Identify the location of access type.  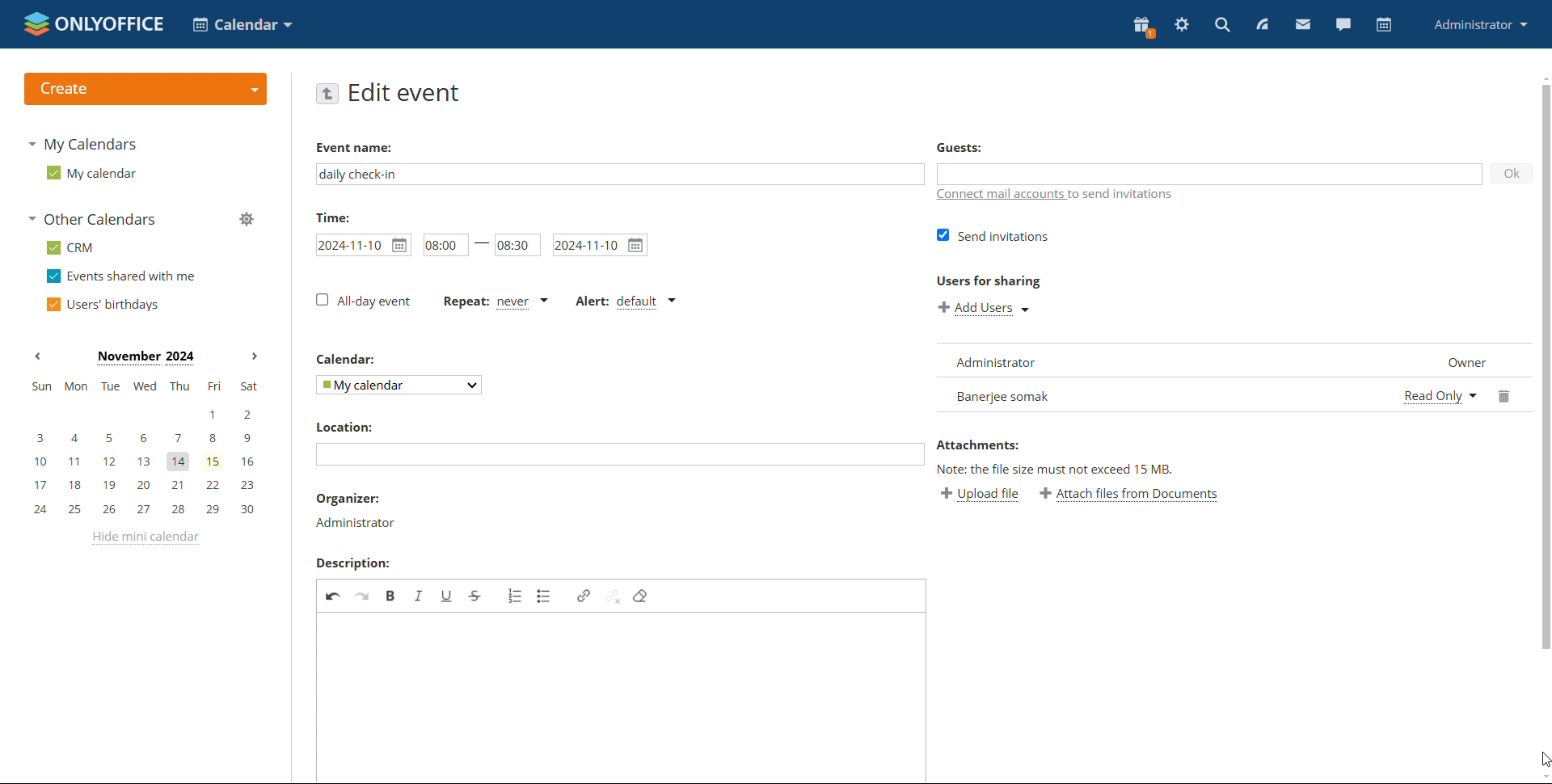
(1440, 396).